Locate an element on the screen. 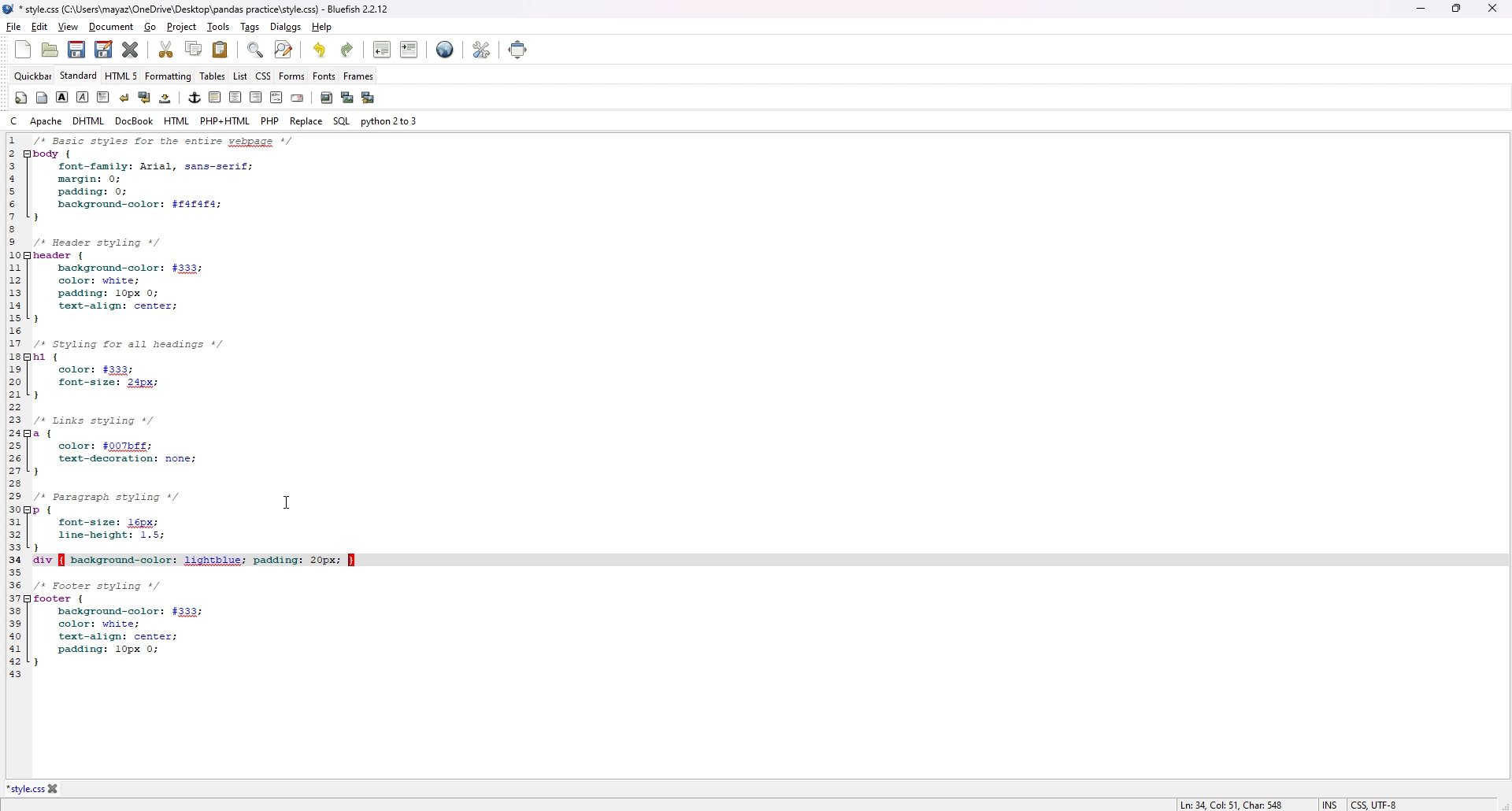  c is located at coordinates (14, 120).